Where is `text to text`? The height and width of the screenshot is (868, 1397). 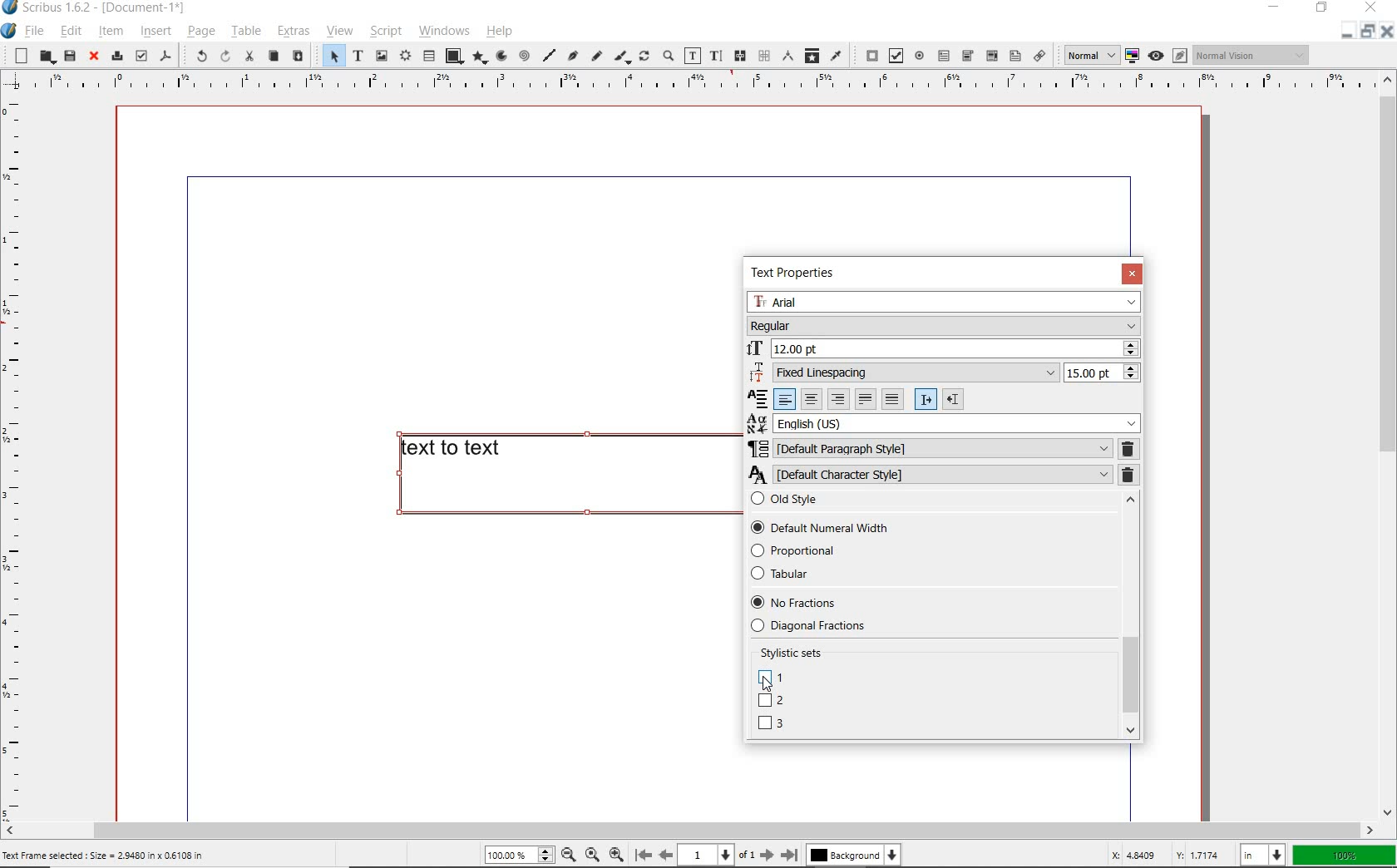
text to text is located at coordinates (562, 474).